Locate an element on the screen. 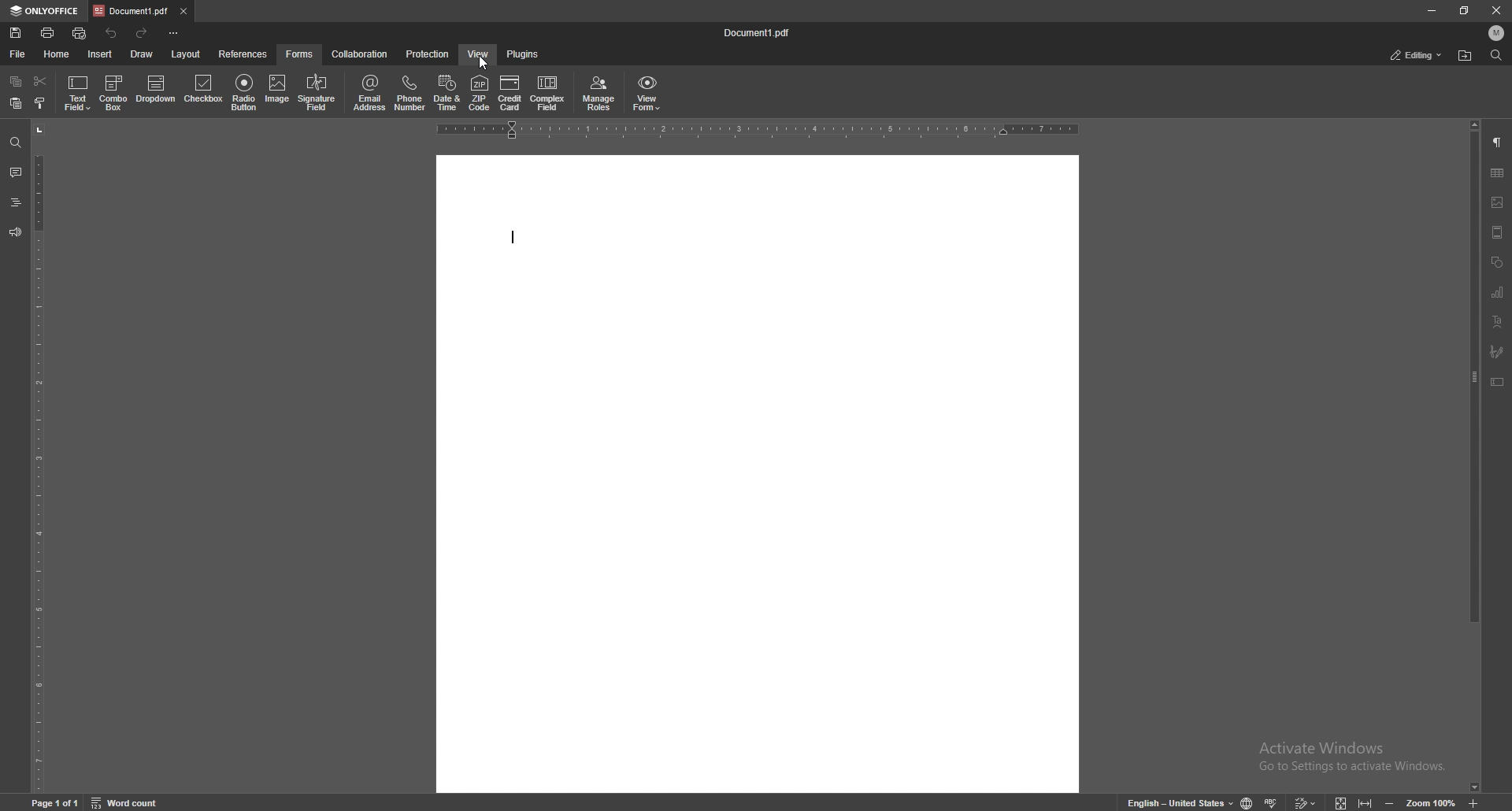 The image size is (1512, 811). zoom in is located at coordinates (1480, 802).